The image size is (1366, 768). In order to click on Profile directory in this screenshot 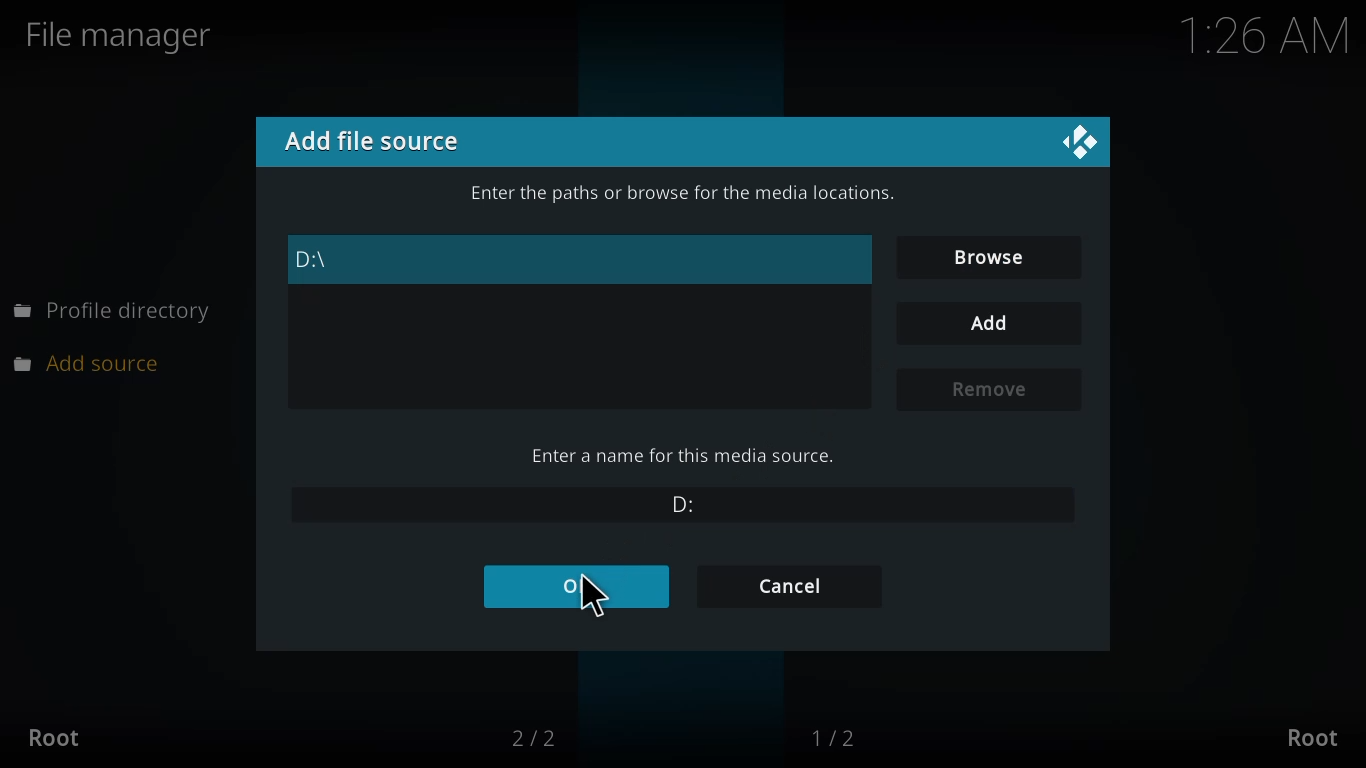, I will do `click(115, 311)`.